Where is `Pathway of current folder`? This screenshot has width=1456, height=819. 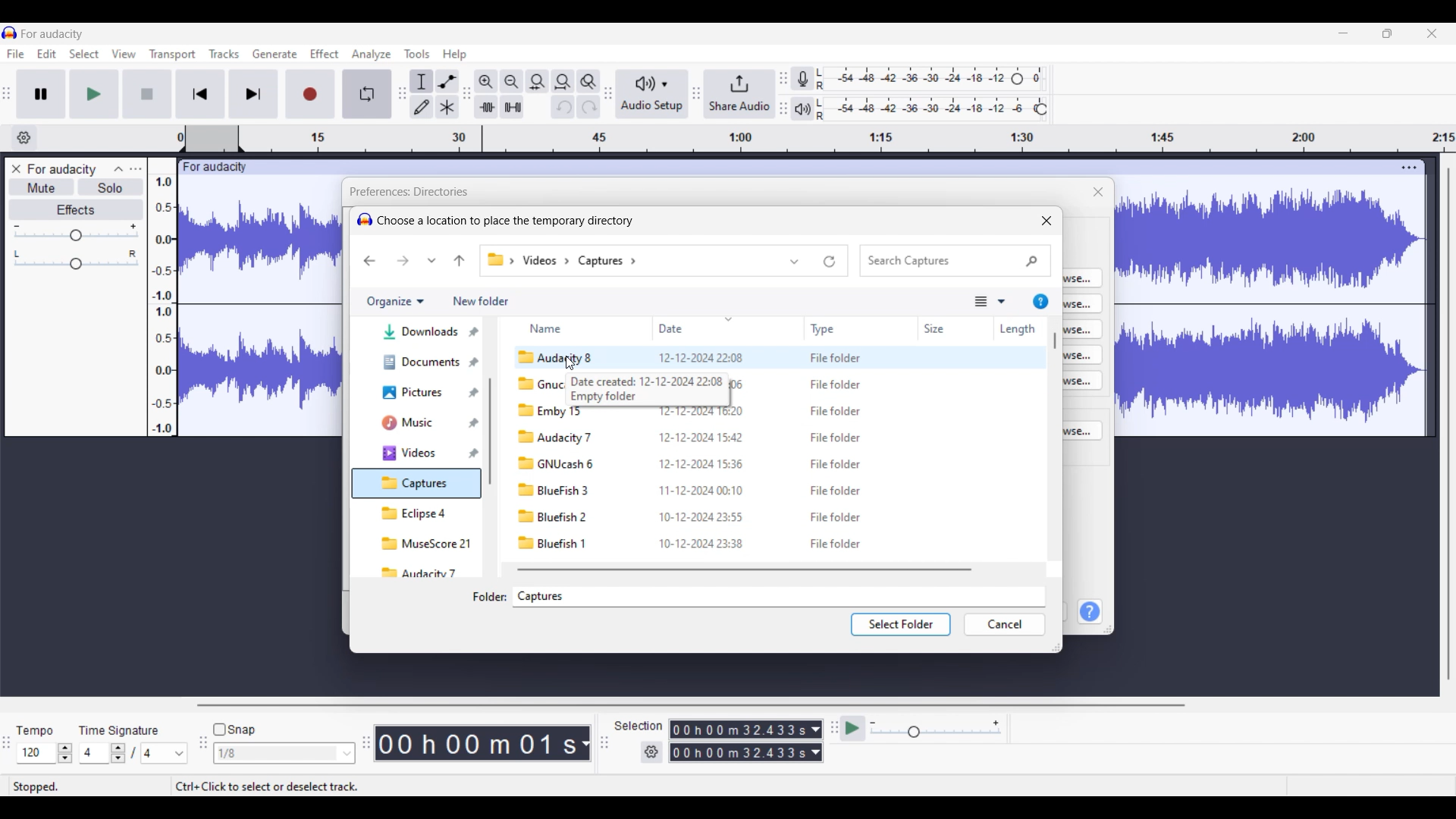
Pathway of current folder is located at coordinates (563, 260).